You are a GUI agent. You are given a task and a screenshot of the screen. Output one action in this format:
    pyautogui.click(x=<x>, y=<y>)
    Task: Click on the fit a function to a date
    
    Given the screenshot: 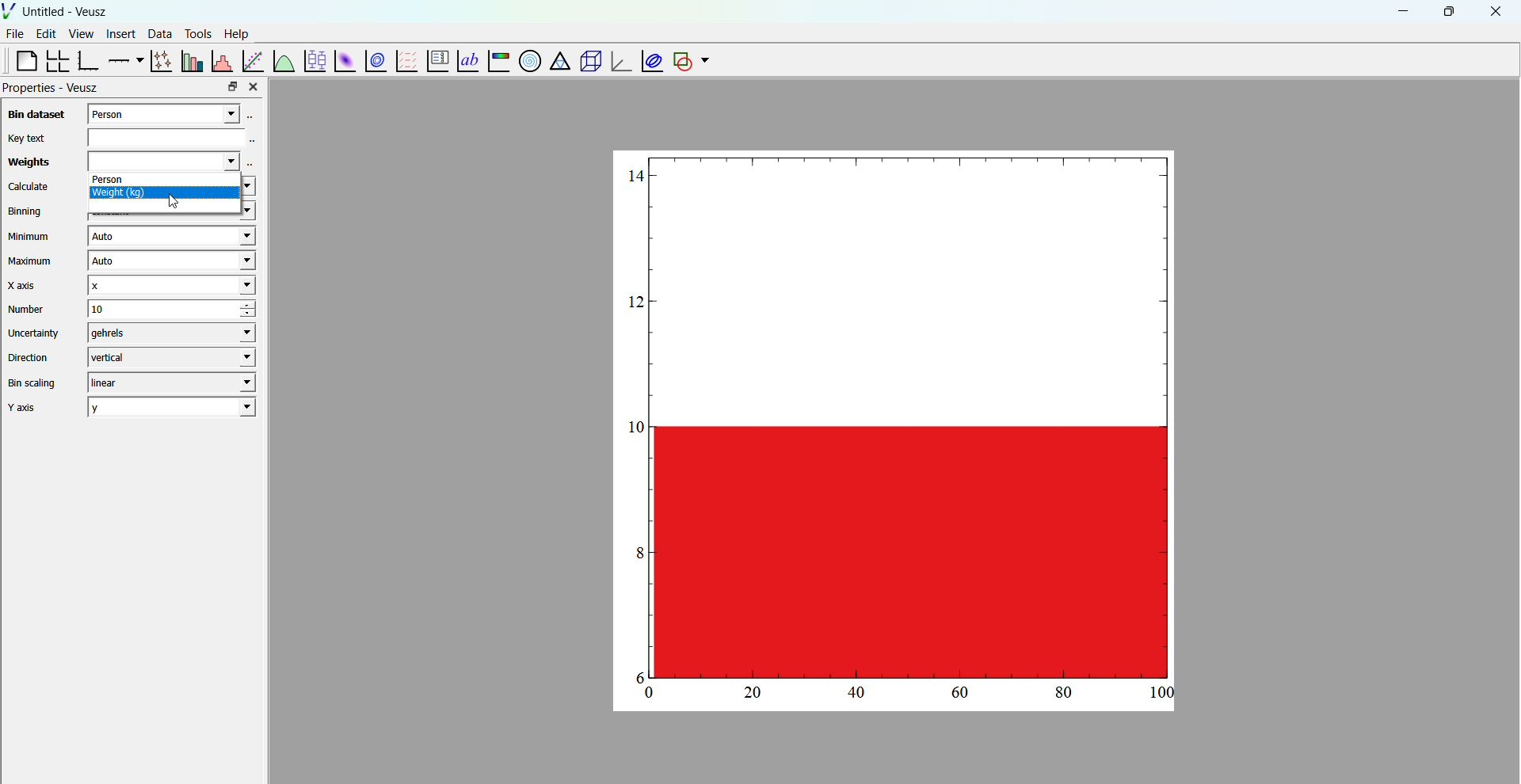 What is the action you would take?
    pyautogui.click(x=253, y=60)
    